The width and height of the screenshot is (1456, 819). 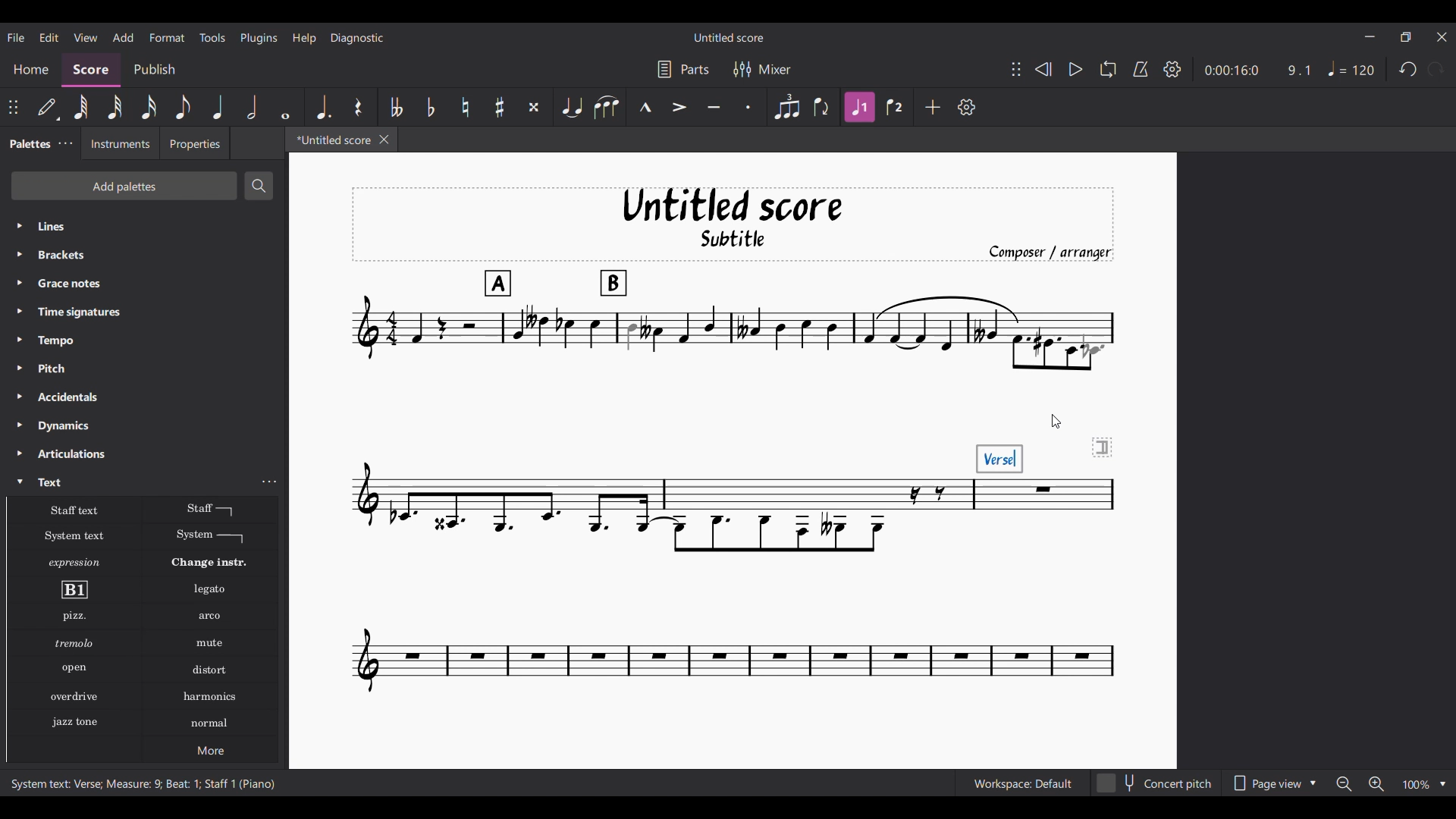 What do you see at coordinates (269, 482) in the screenshot?
I see `Text settings` at bounding box center [269, 482].